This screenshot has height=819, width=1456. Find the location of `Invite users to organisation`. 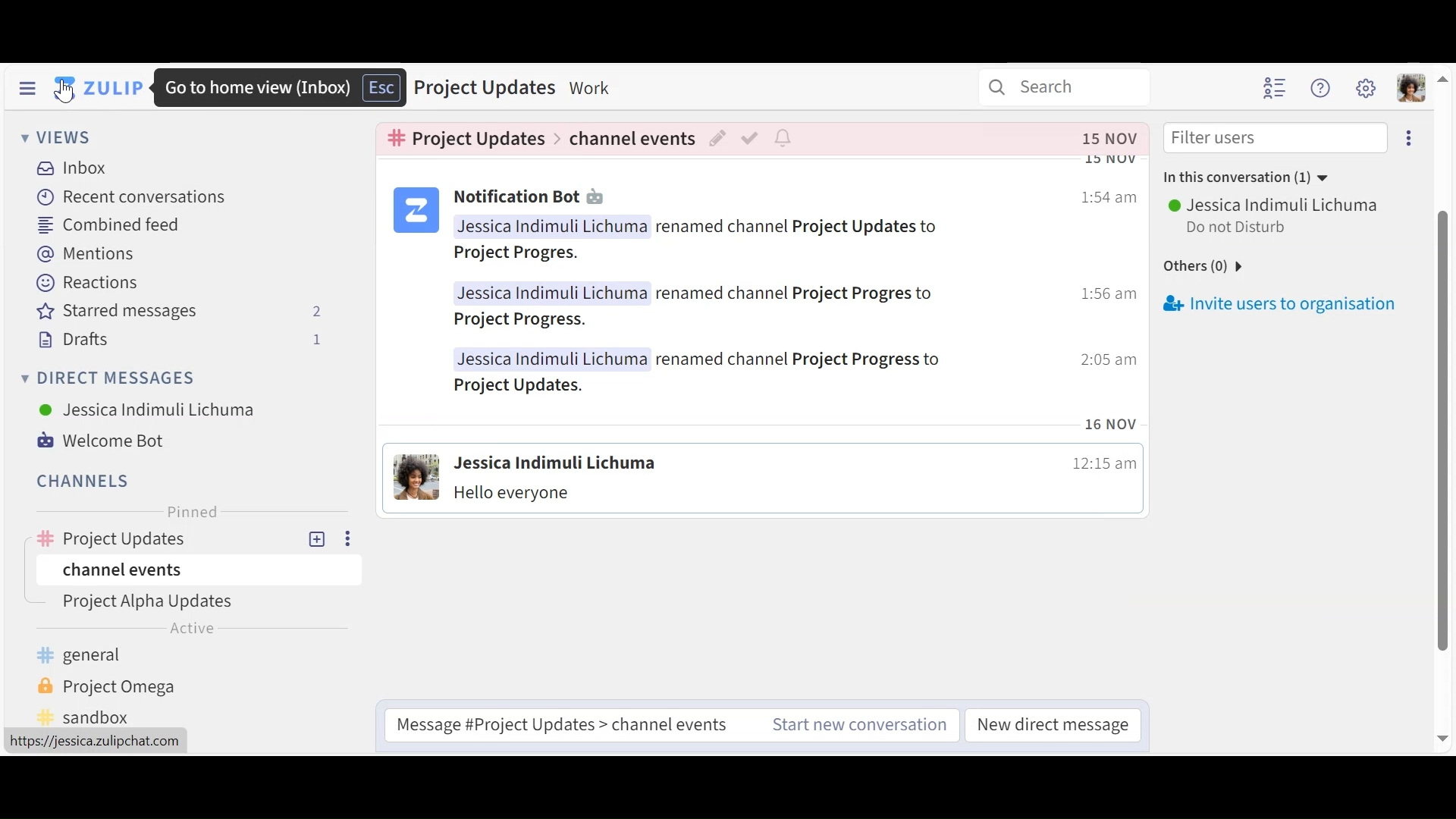

Invite users to organisation is located at coordinates (1280, 304).